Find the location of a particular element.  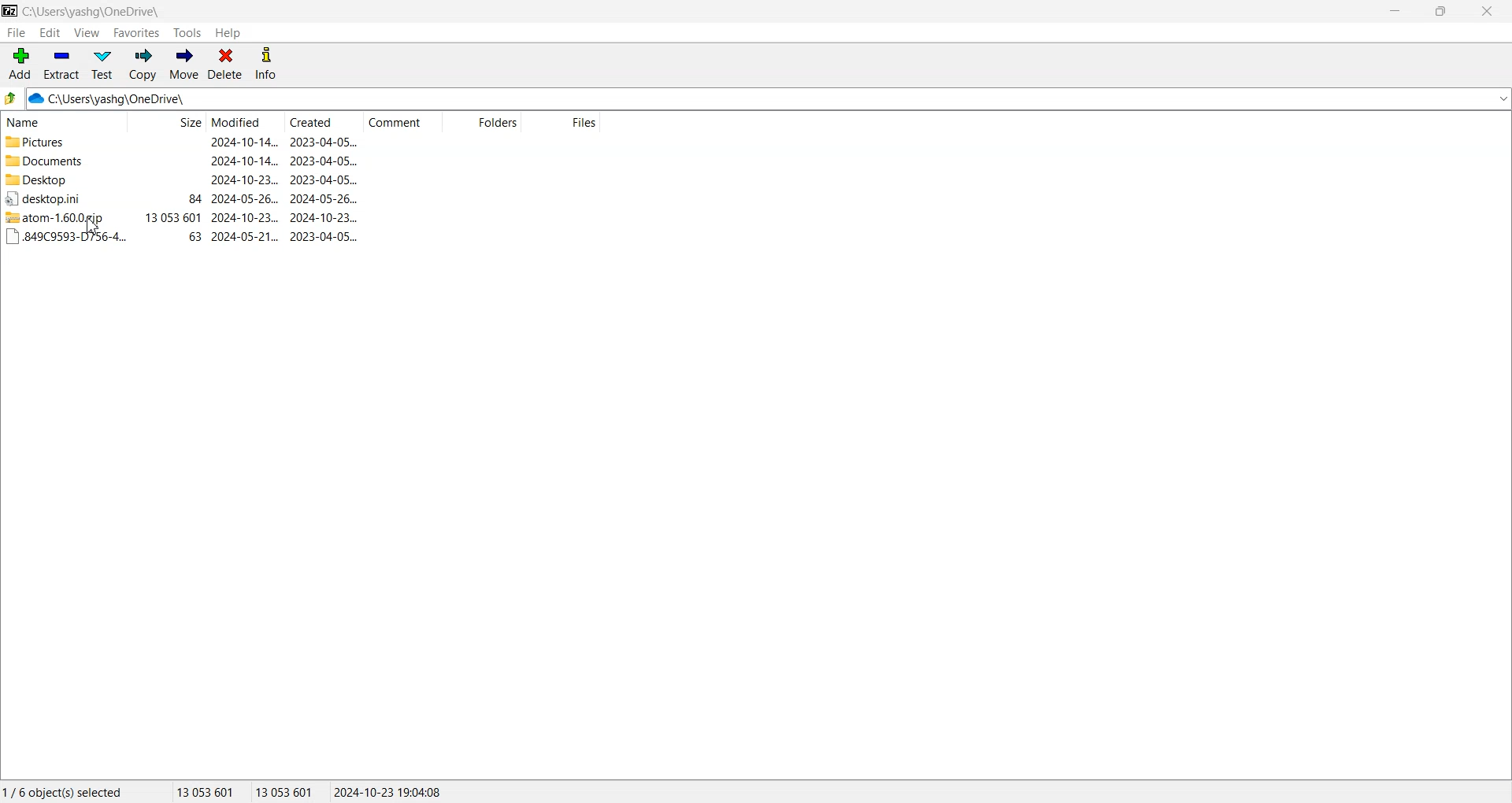

2024-10-23 is located at coordinates (245, 179).